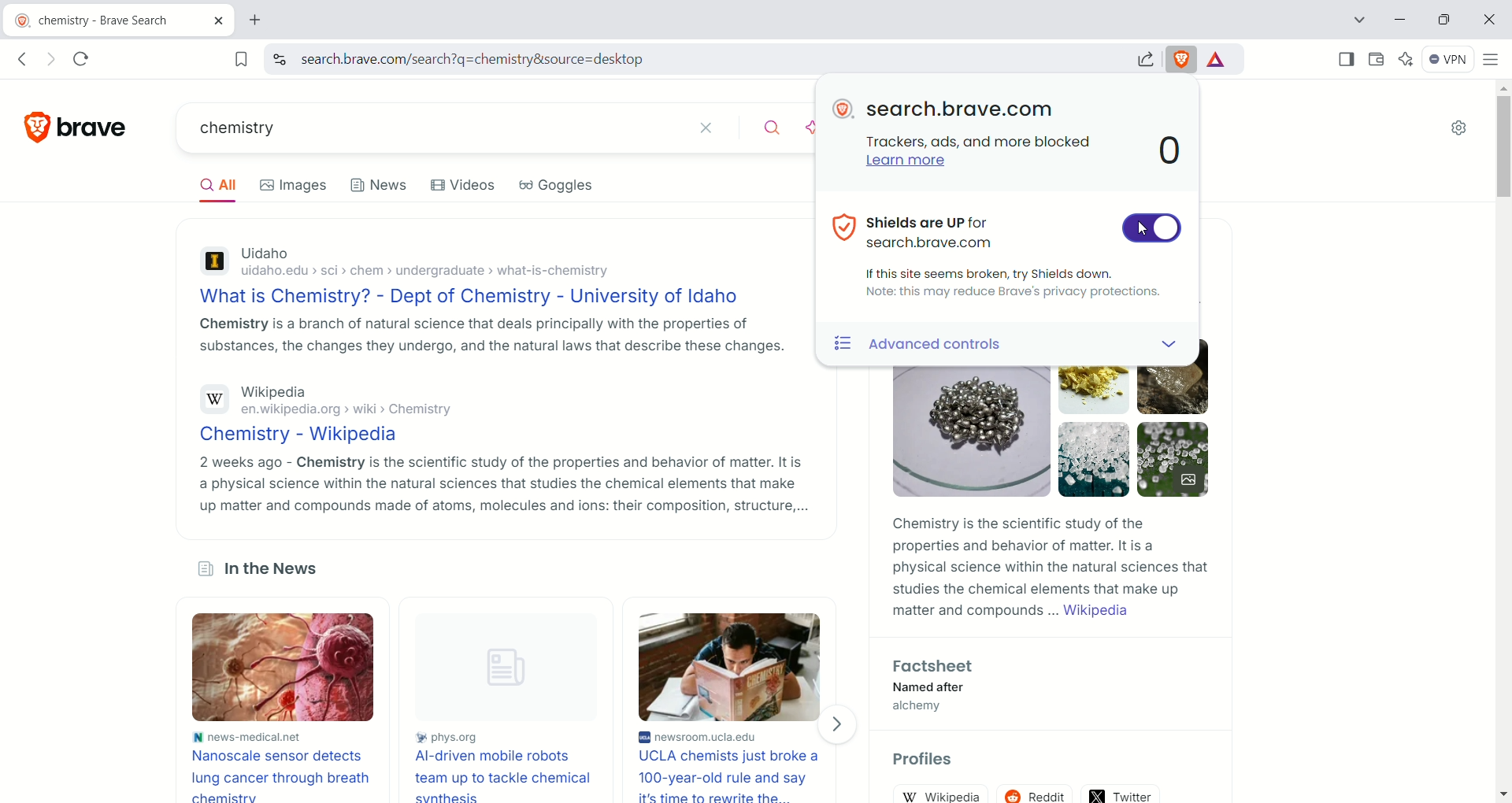 The width and height of the screenshot is (1512, 803). I want to click on Videos, so click(467, 184).